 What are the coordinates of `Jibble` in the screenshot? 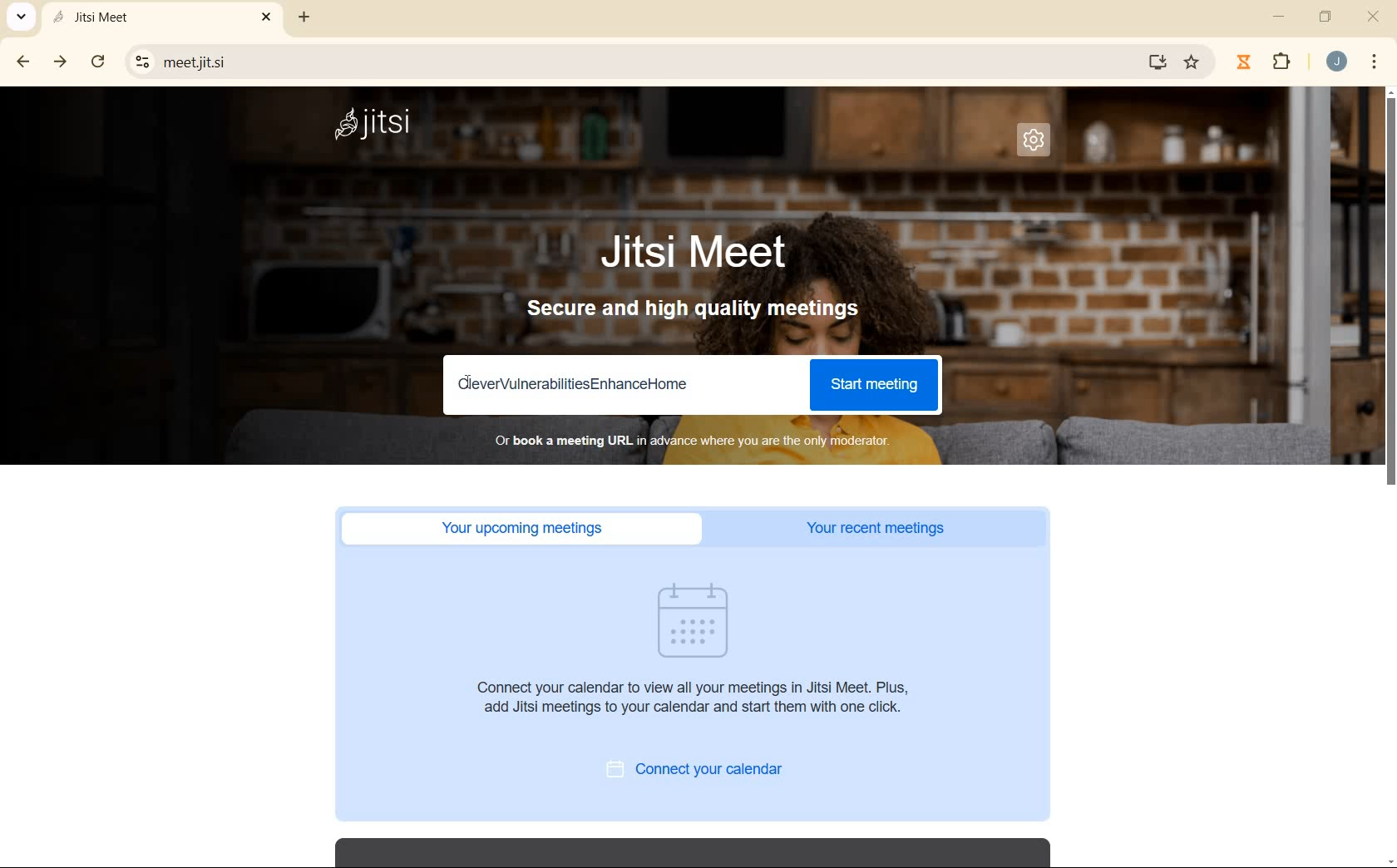 It's located at (1245, 65).